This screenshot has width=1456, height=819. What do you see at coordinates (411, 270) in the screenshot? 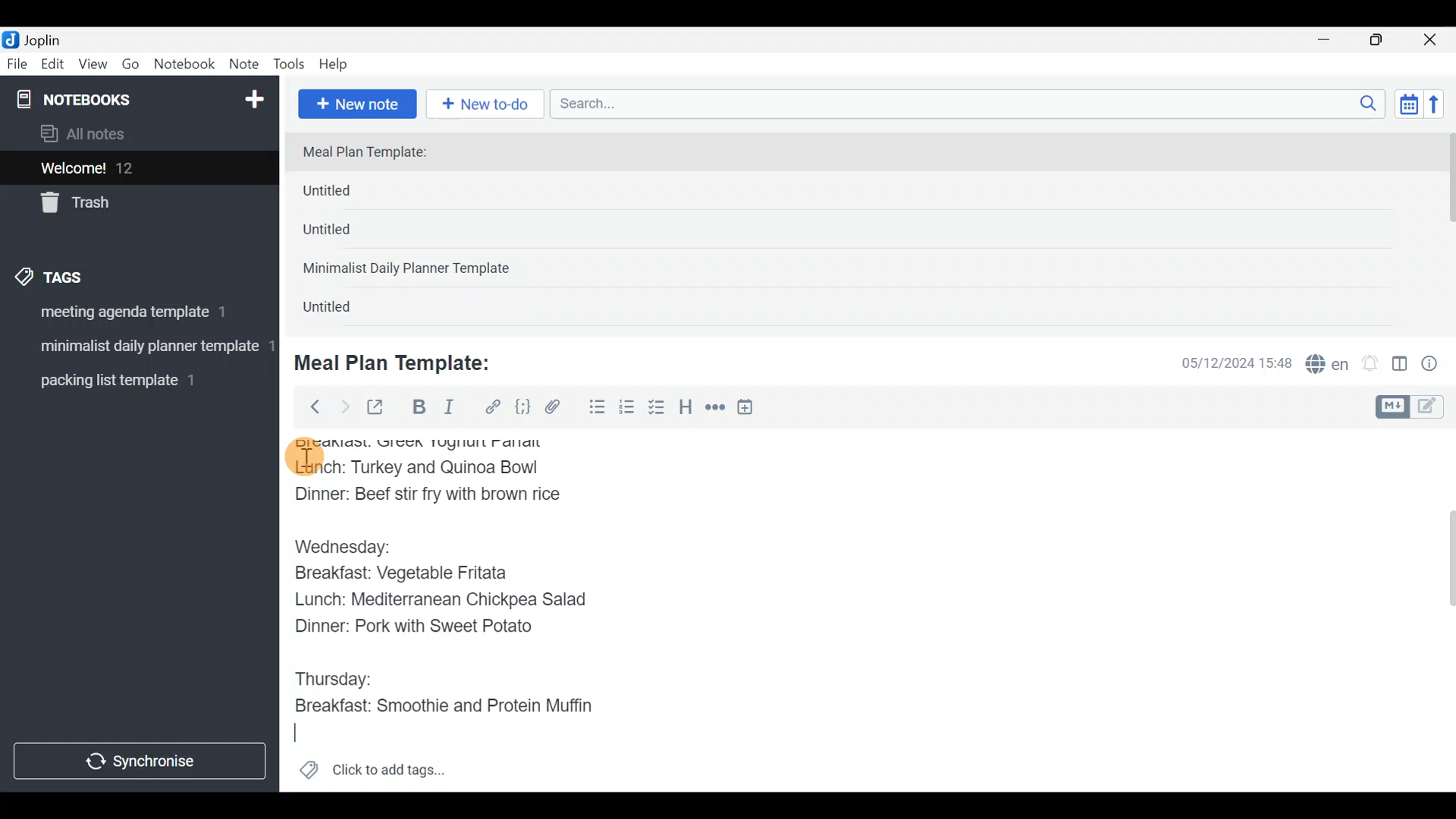
I see `Minimalist Daily Planner Template` at bounding box center [411, 270].